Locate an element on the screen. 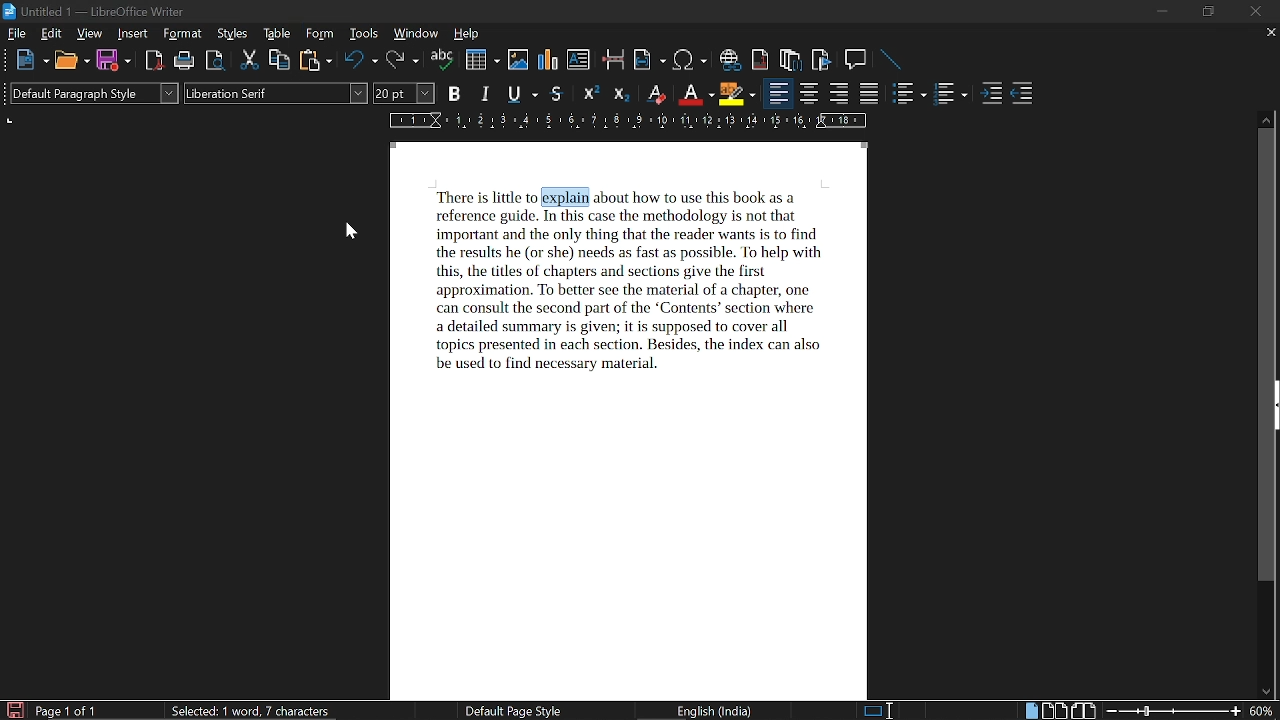 The width and height of the screenshot is (1280, 720). copy is located at coordinates (280, 61).